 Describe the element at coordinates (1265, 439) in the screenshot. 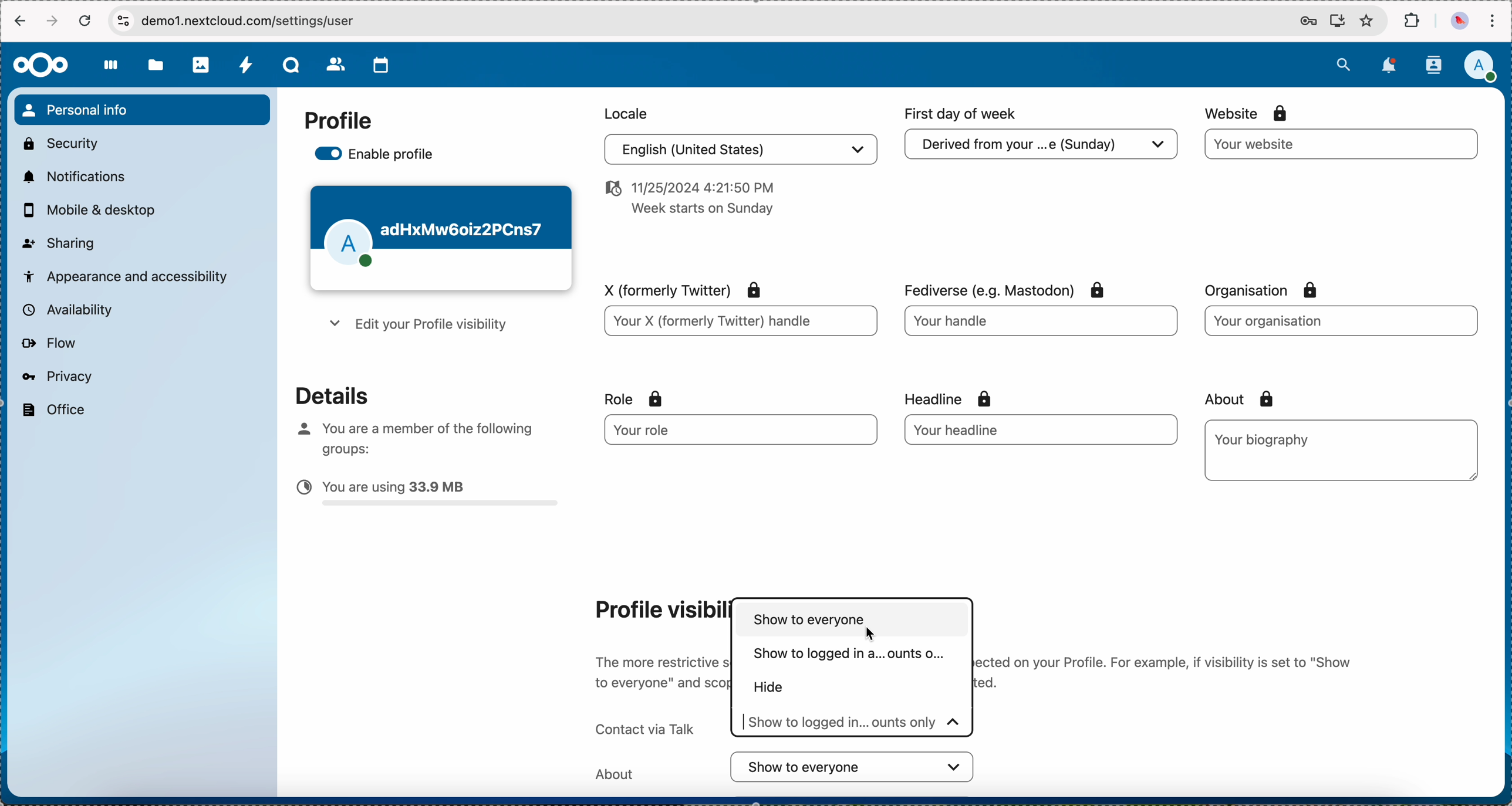

I see `biography` at that location.